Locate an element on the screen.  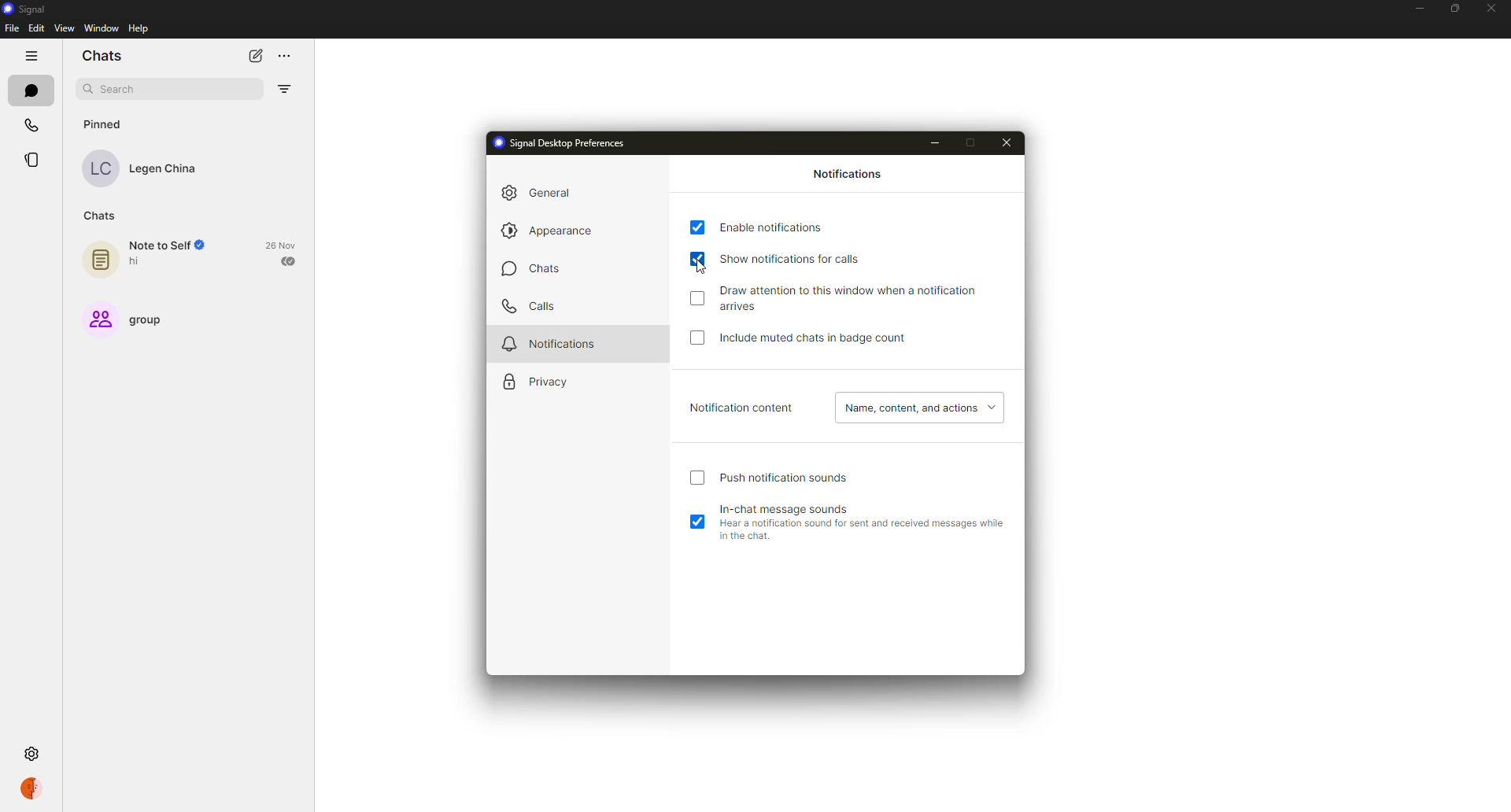
view is located at coordinates (64, 28).